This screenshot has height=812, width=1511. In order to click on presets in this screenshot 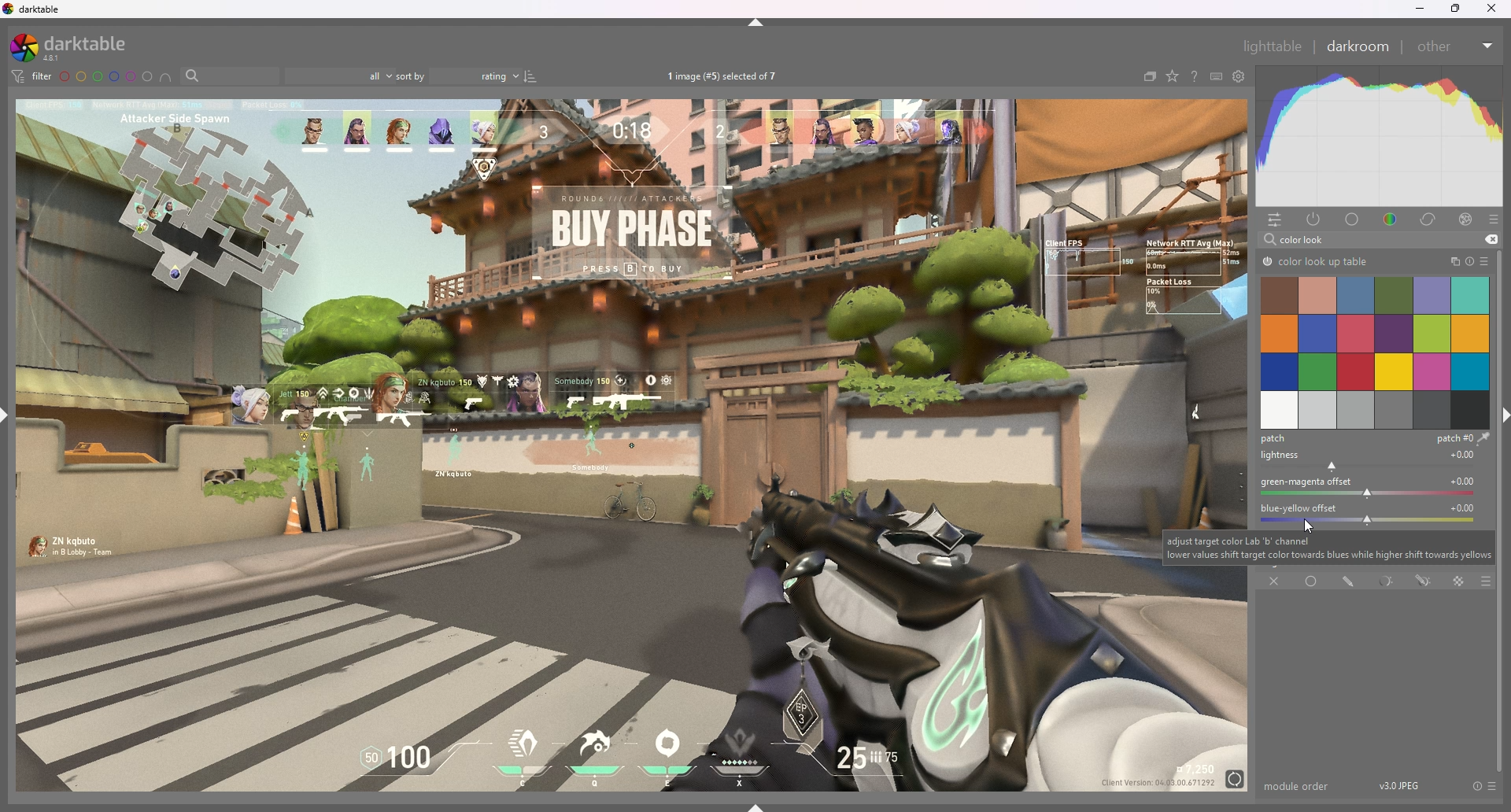, I will do `click(1494, 220)`.